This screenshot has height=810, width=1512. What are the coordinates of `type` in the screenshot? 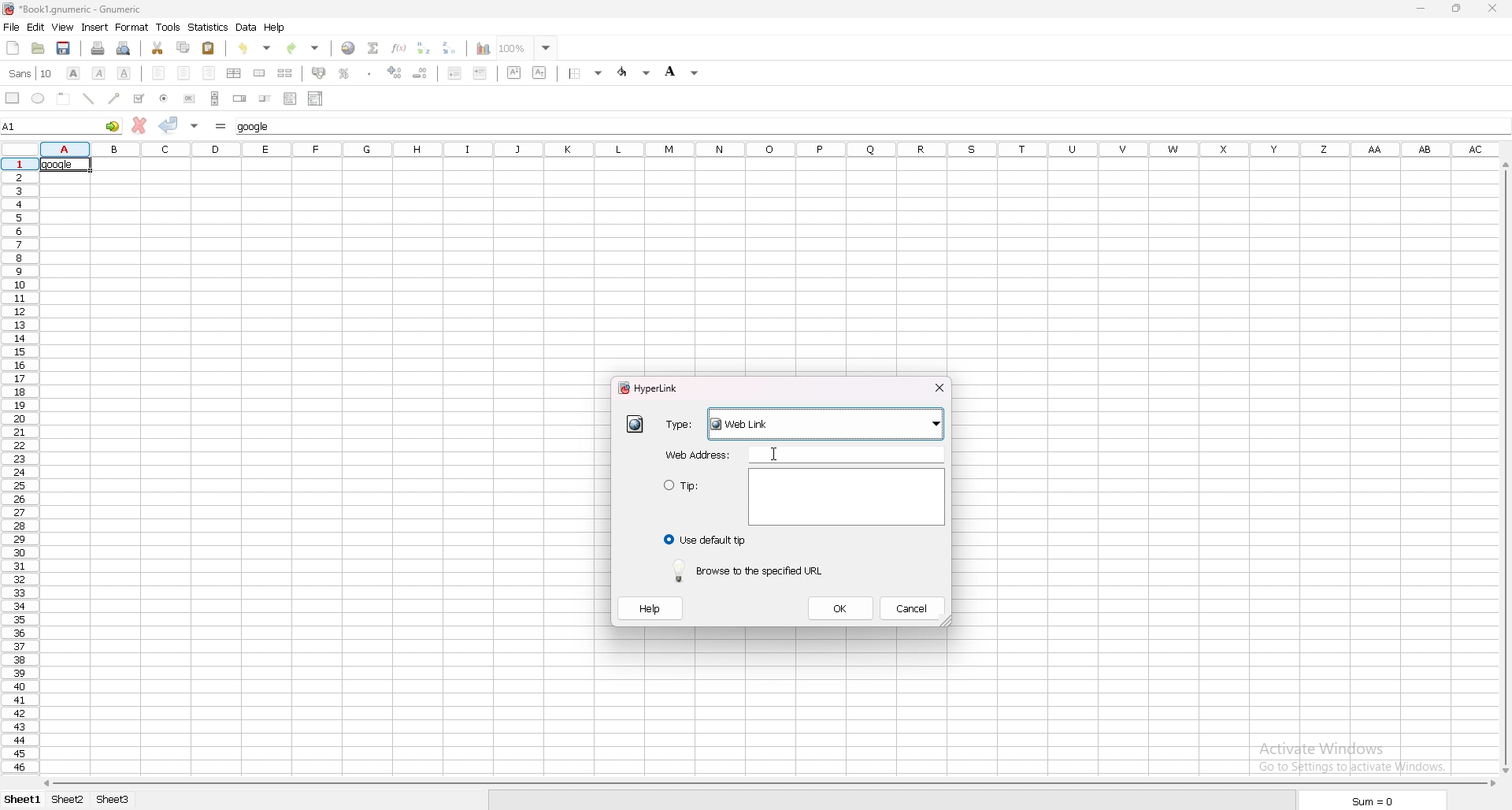 It's located at (682, 425).